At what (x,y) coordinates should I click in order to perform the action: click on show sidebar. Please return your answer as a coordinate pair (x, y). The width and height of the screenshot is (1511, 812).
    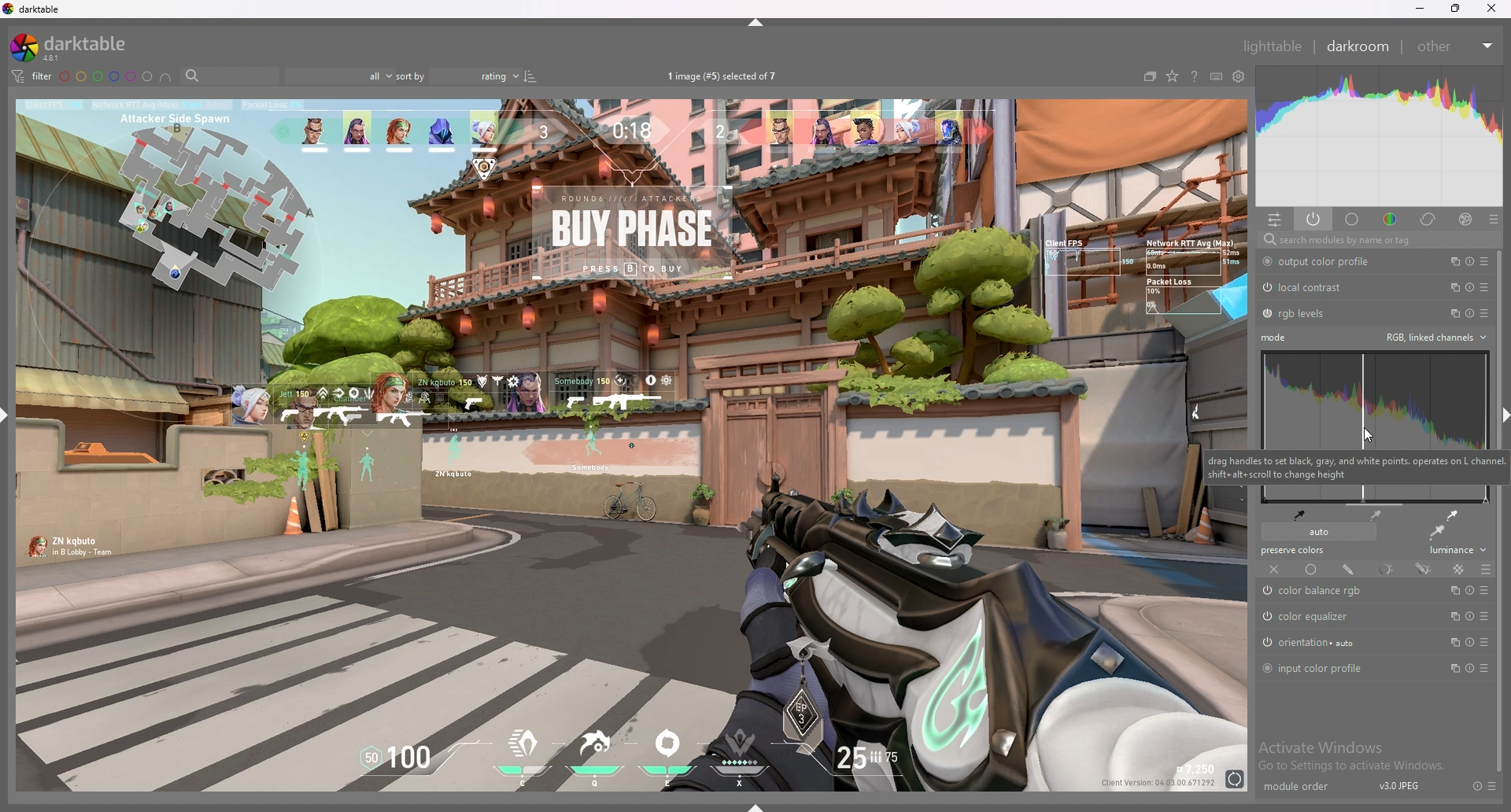
    Looking at the image, I should click on (5, 414).